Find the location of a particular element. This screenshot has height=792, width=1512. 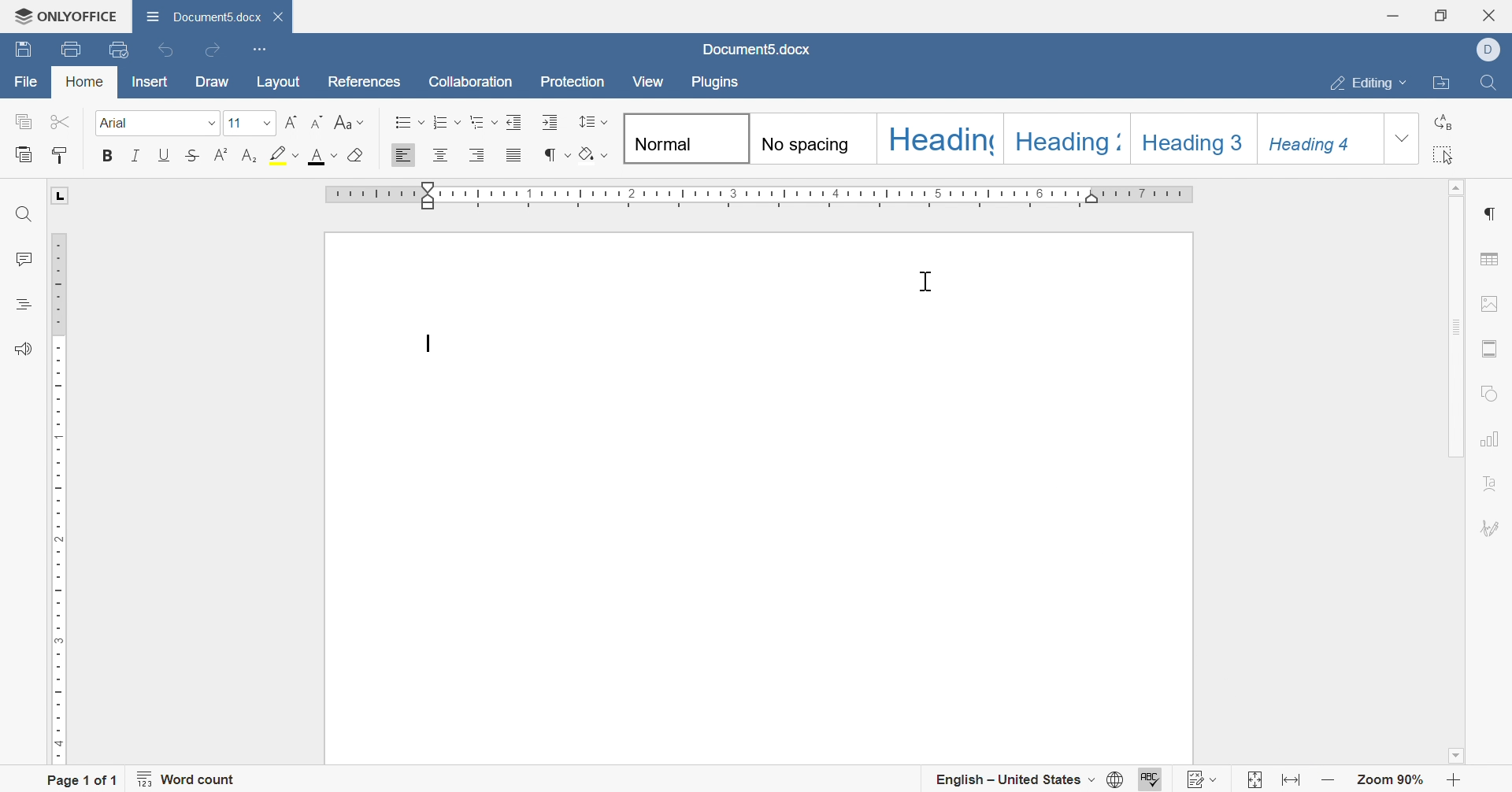

paragraph line spacing is located at coordinates (594, 122).